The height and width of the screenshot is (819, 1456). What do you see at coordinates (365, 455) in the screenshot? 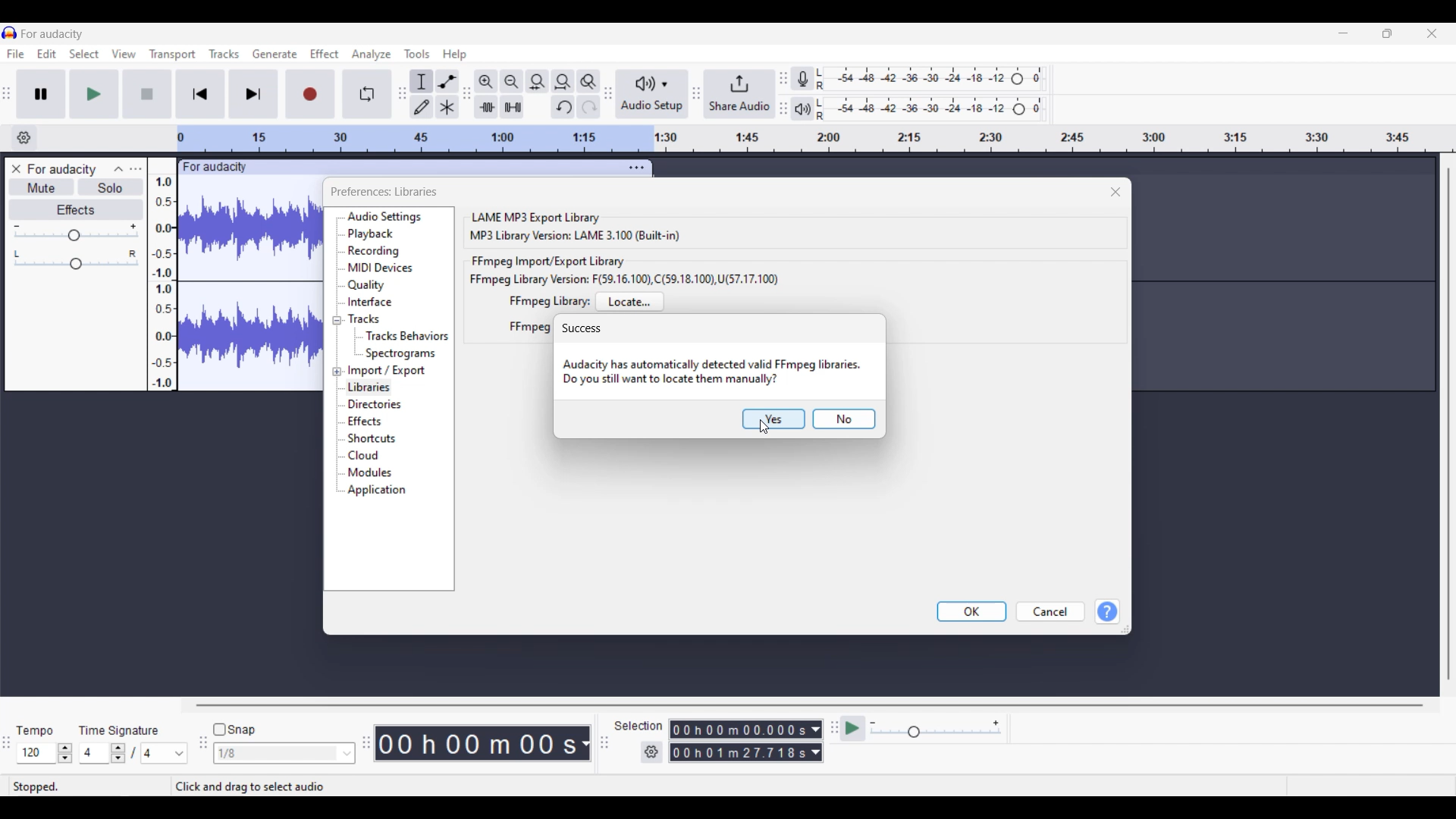
I see `Cloud ` at bounding box center [365, 455].